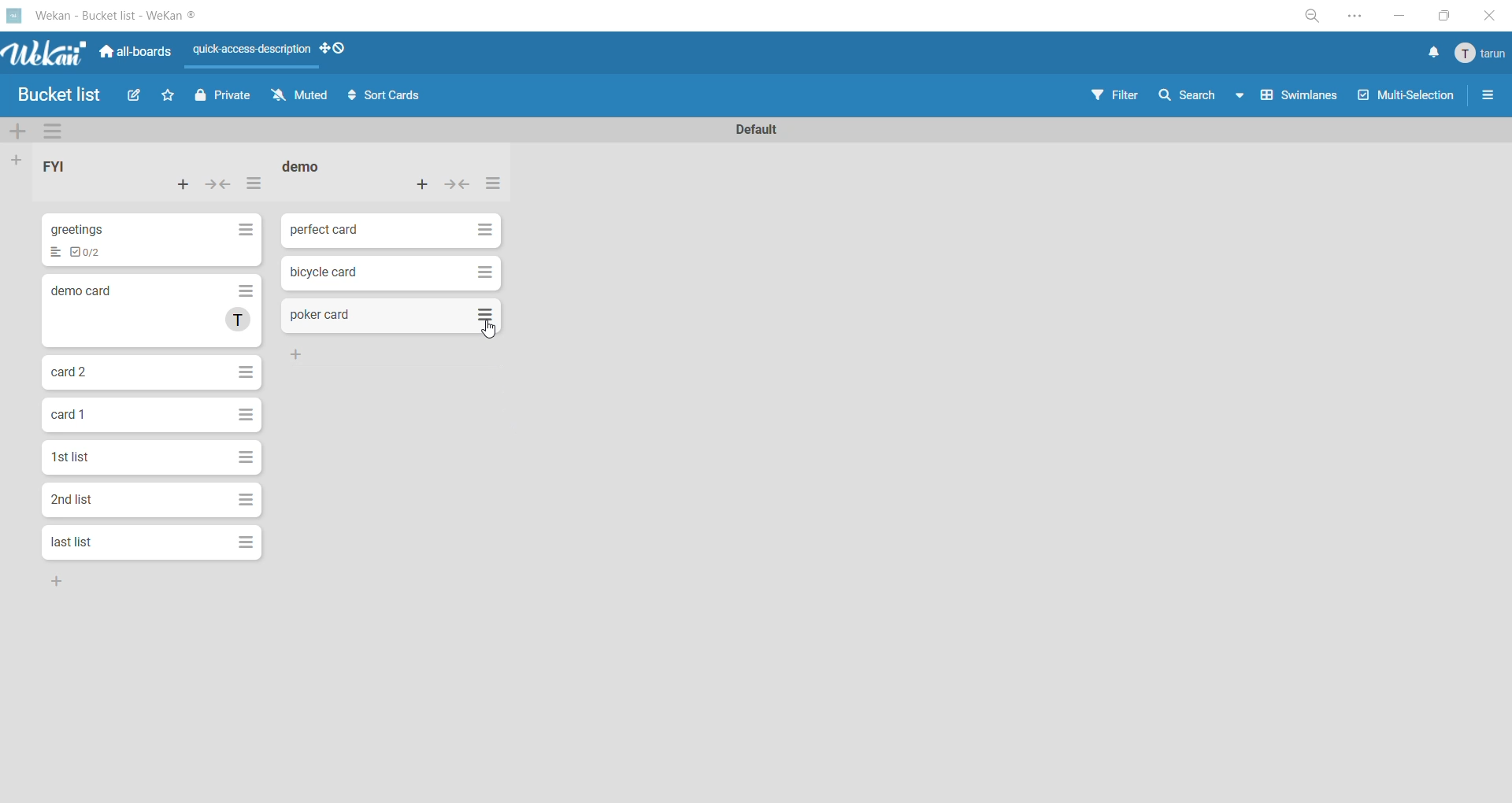  Describe the element at coordinates (90, 292) in the screenshot. I see `demo card` at that location.